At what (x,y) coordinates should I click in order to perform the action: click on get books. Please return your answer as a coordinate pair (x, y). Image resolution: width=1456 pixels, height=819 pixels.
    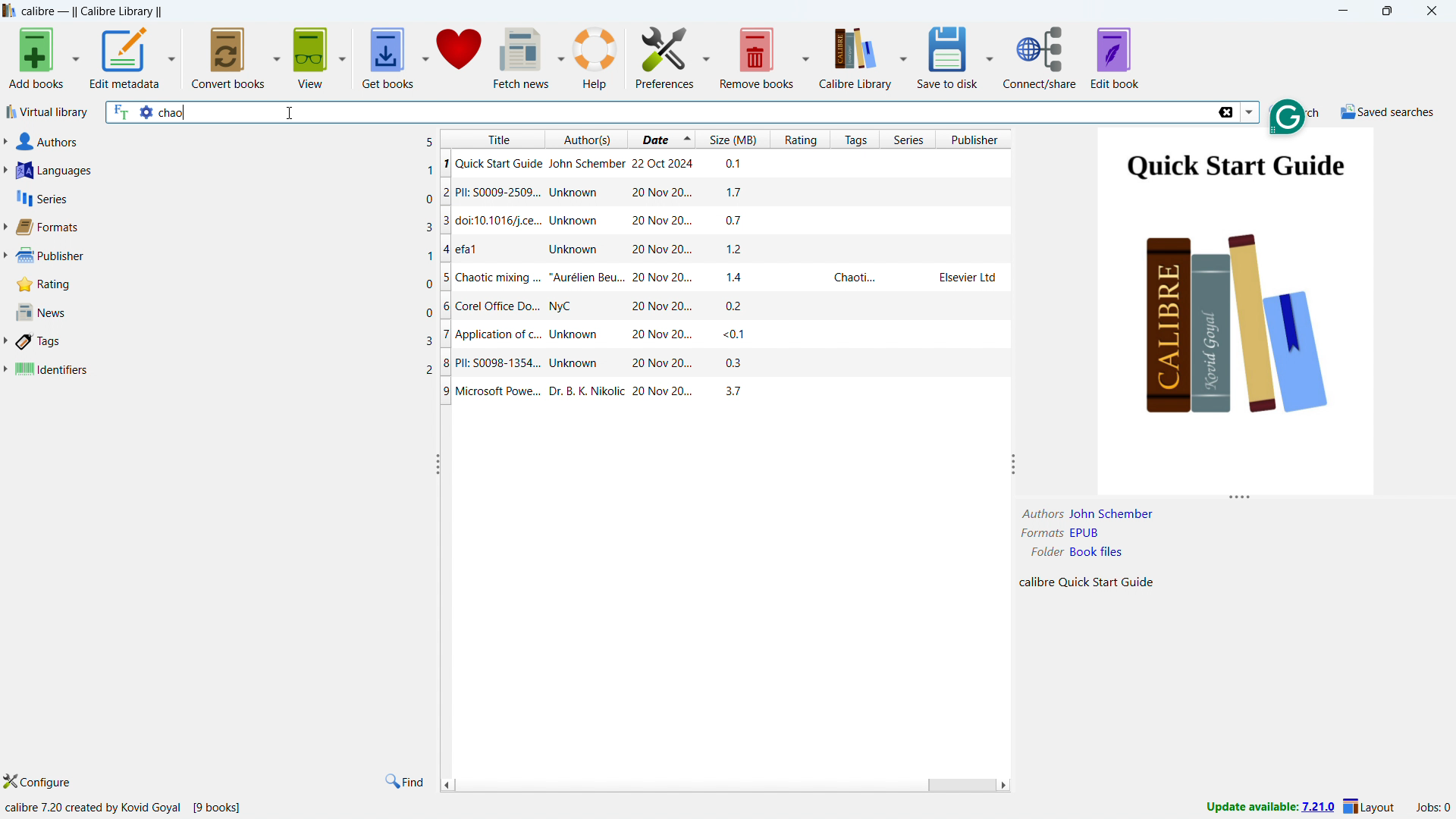
    Looking at the image, I should click on (388, 56).